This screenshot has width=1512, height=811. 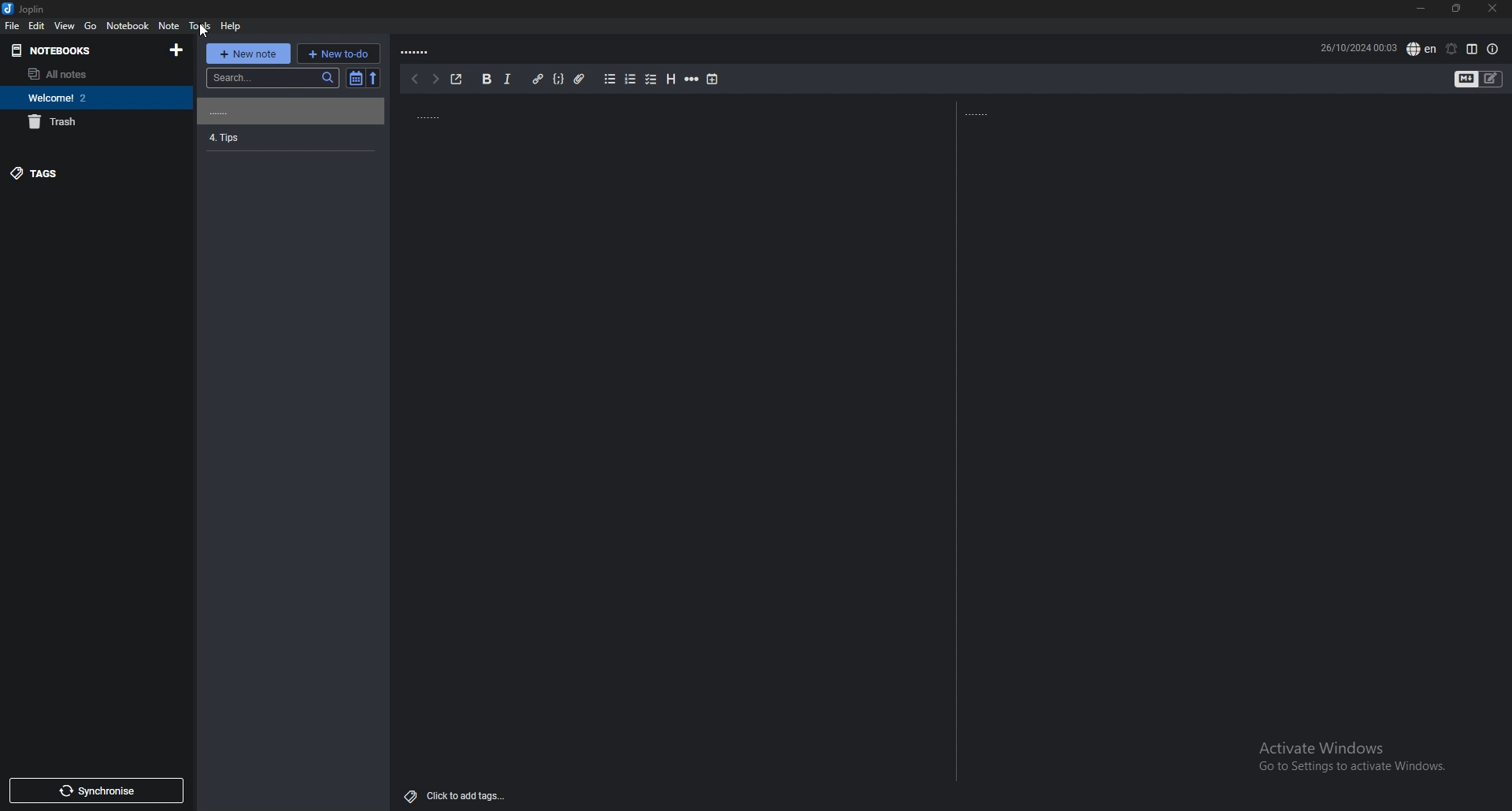 What do you see at coordinates (417, 53) in the screenshot?
I see `notes name` at bounding box center [417, 53].